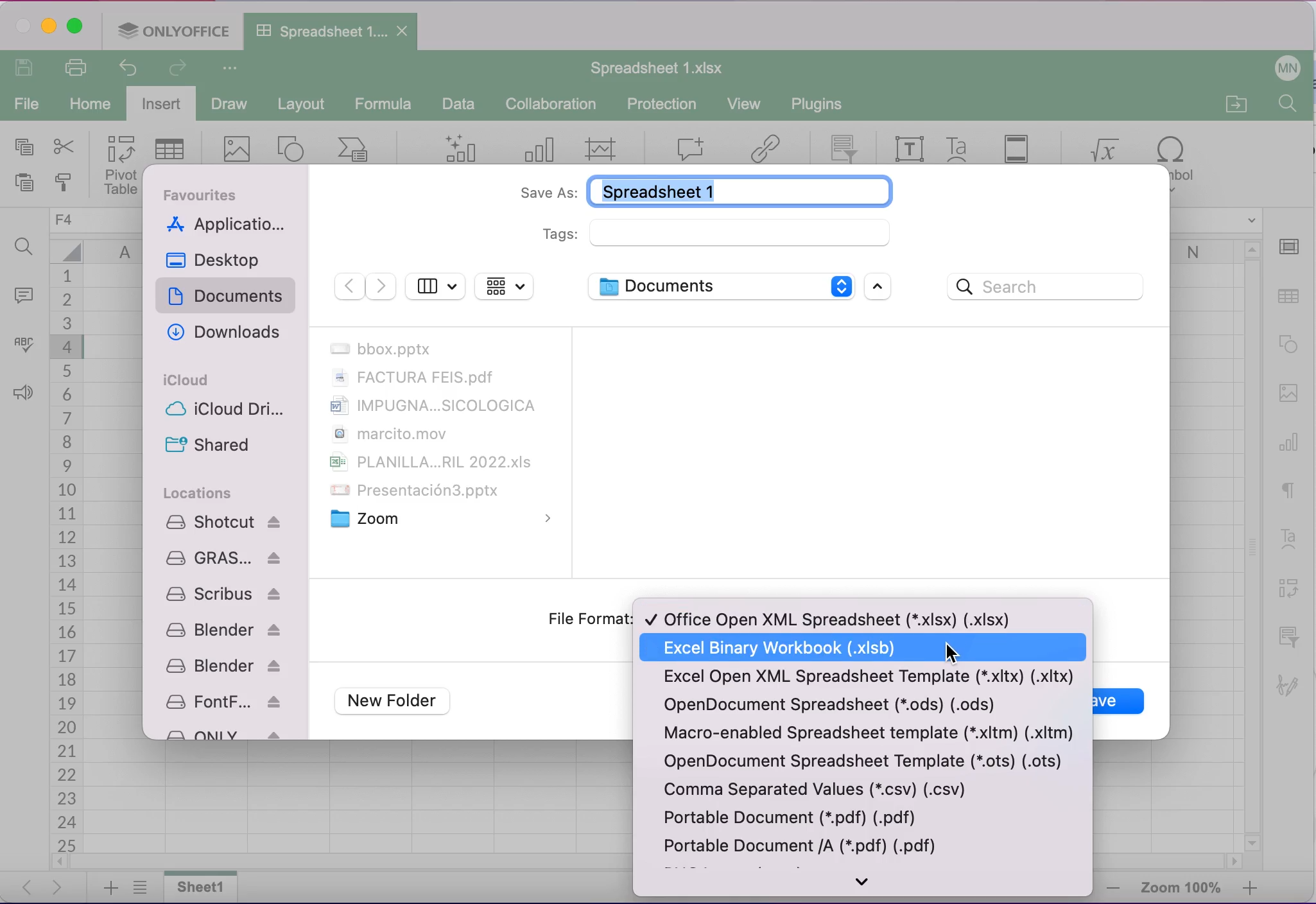  I want to click on portable document /a, so click(812, 850).